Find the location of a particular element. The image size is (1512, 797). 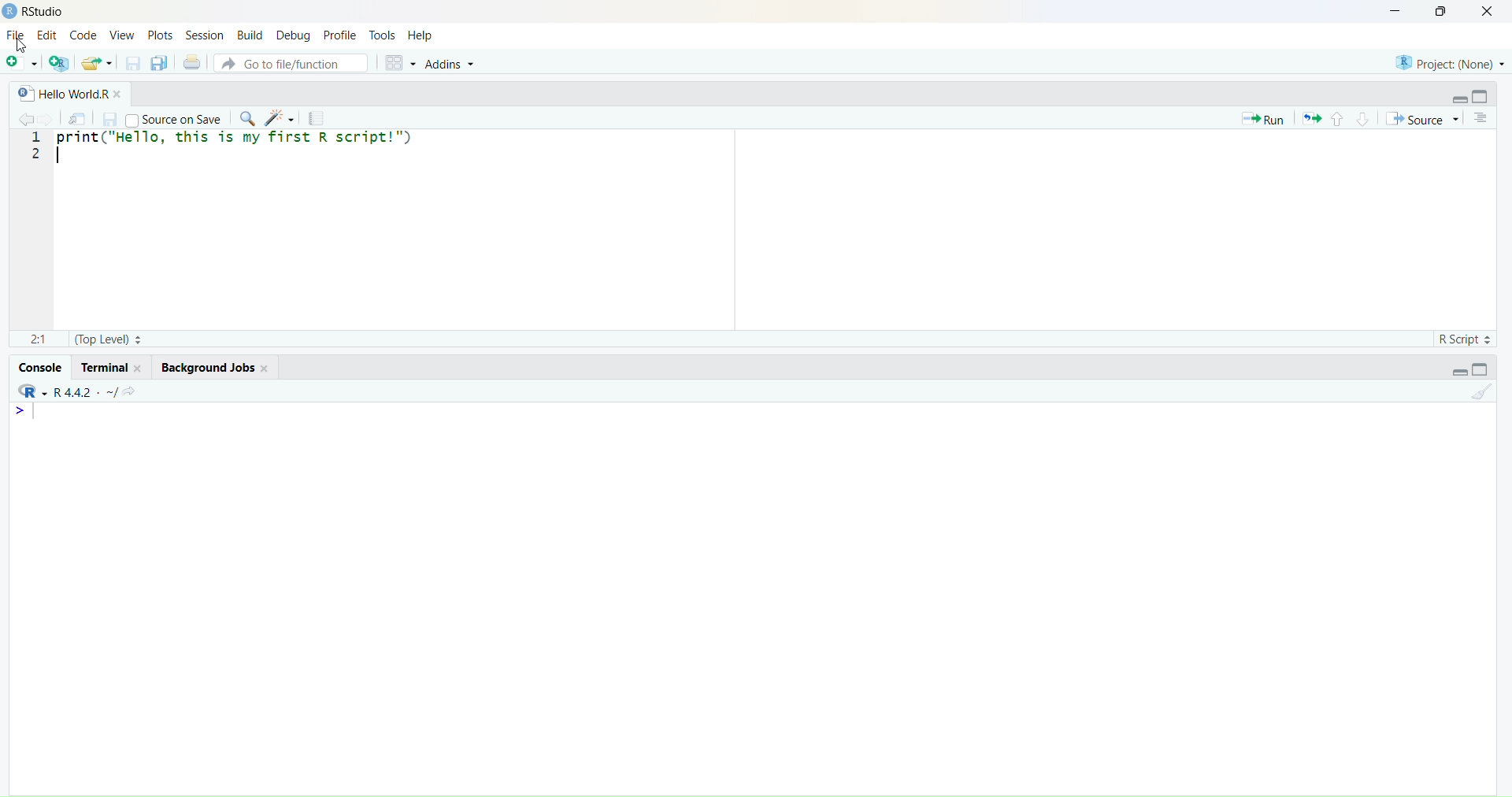

Workspace panes is located at coordinates (398, 62).